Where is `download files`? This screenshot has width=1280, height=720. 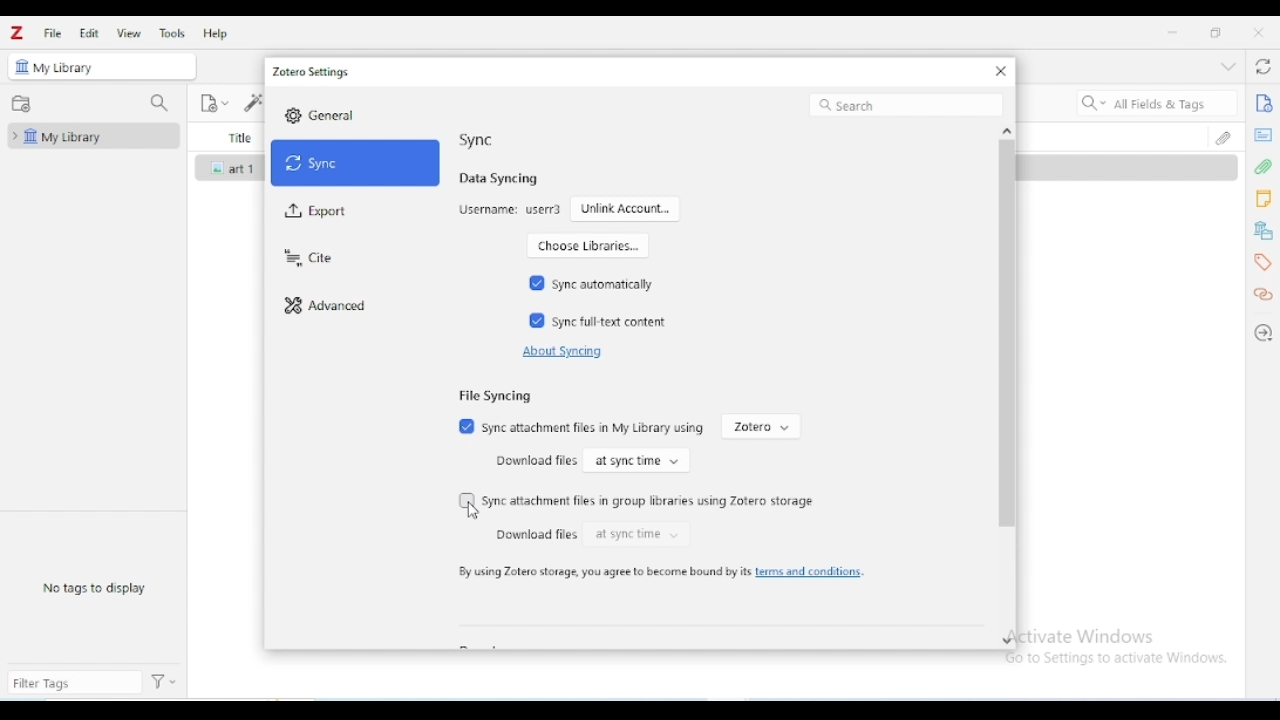
download files is located at coordinates (536, 534).